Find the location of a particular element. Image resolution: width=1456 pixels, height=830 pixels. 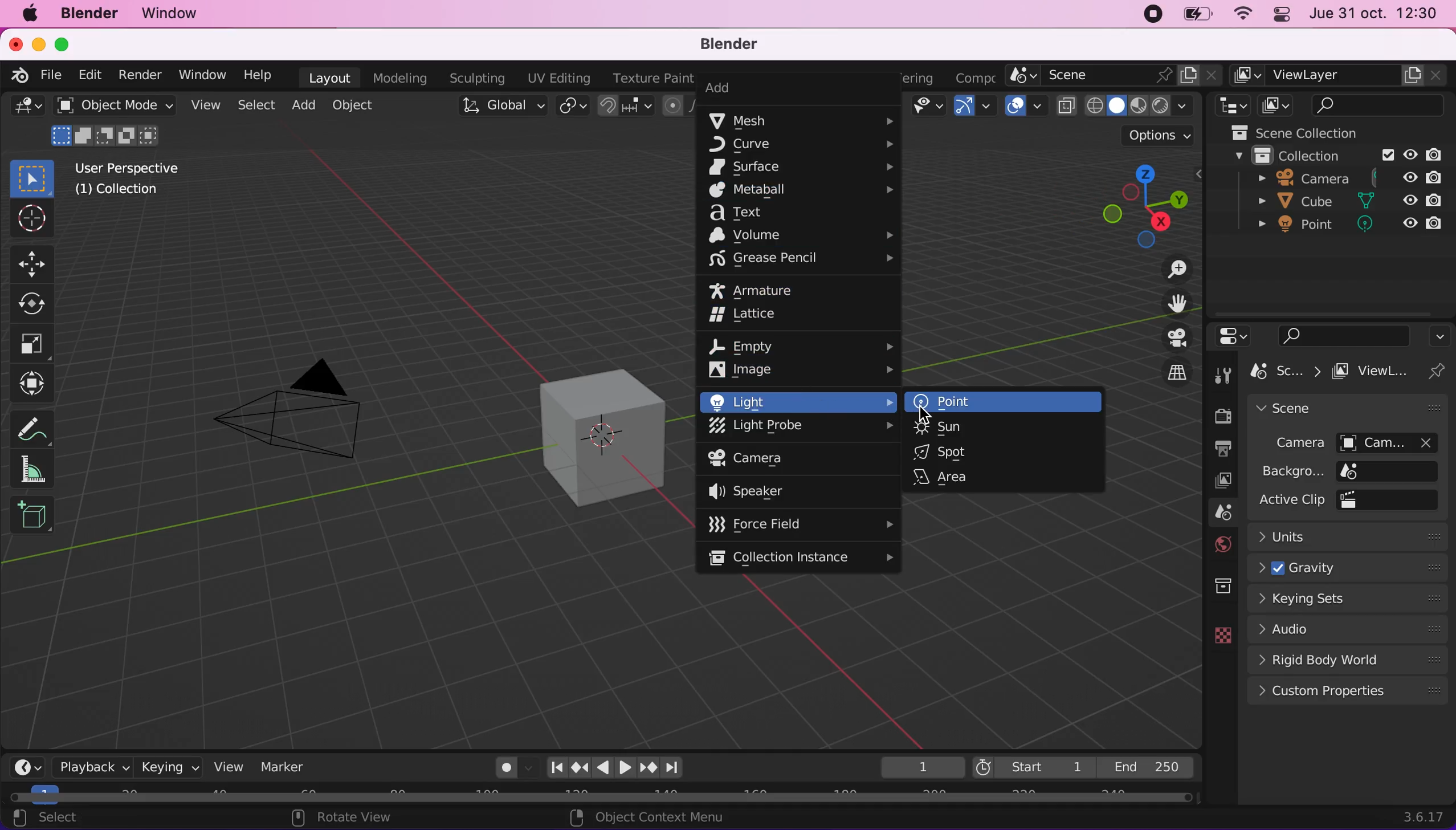

world is located at coordinates (1219, 545).